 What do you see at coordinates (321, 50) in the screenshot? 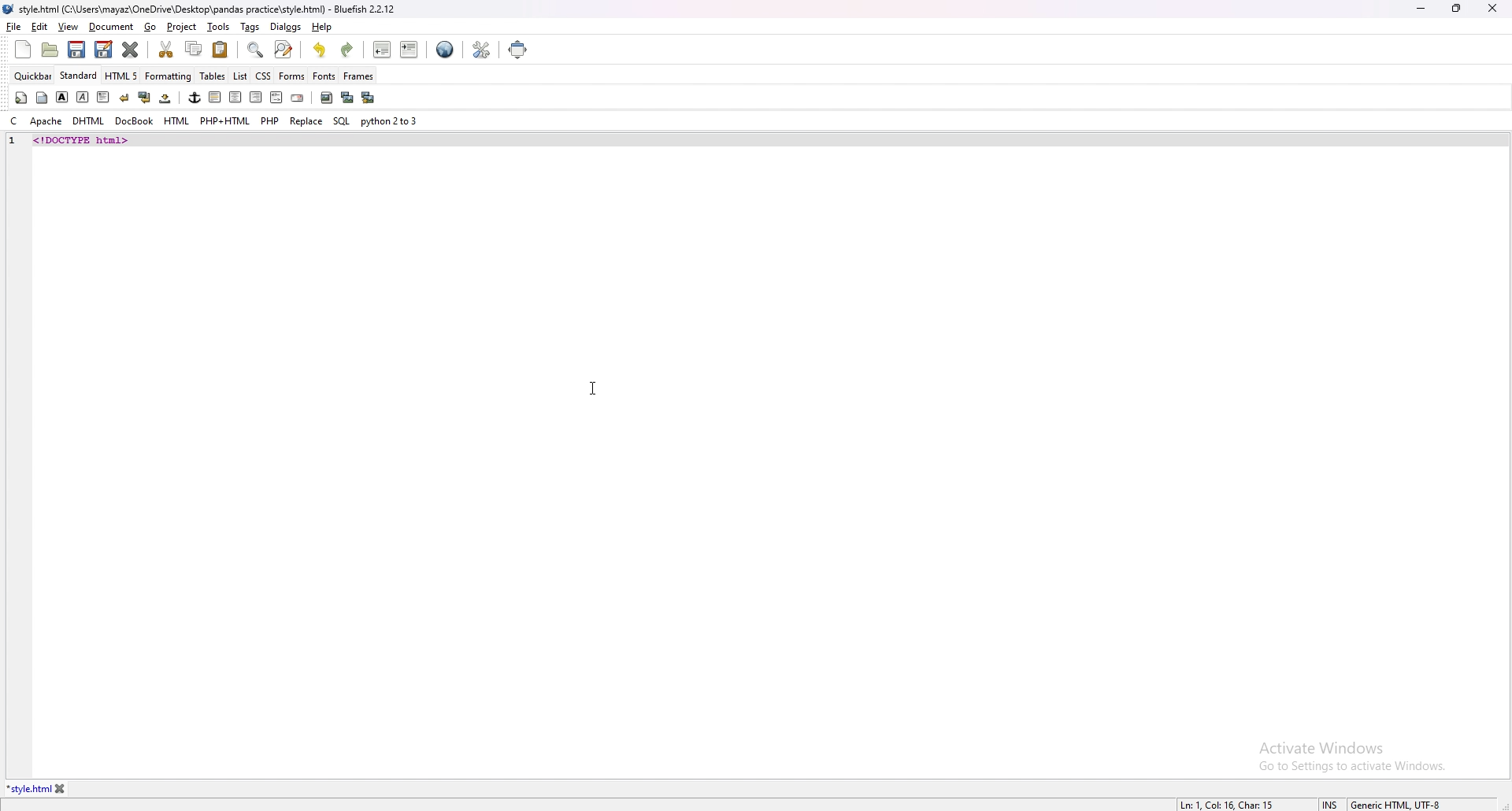
I see `undo` at bounding box center [321, 50].